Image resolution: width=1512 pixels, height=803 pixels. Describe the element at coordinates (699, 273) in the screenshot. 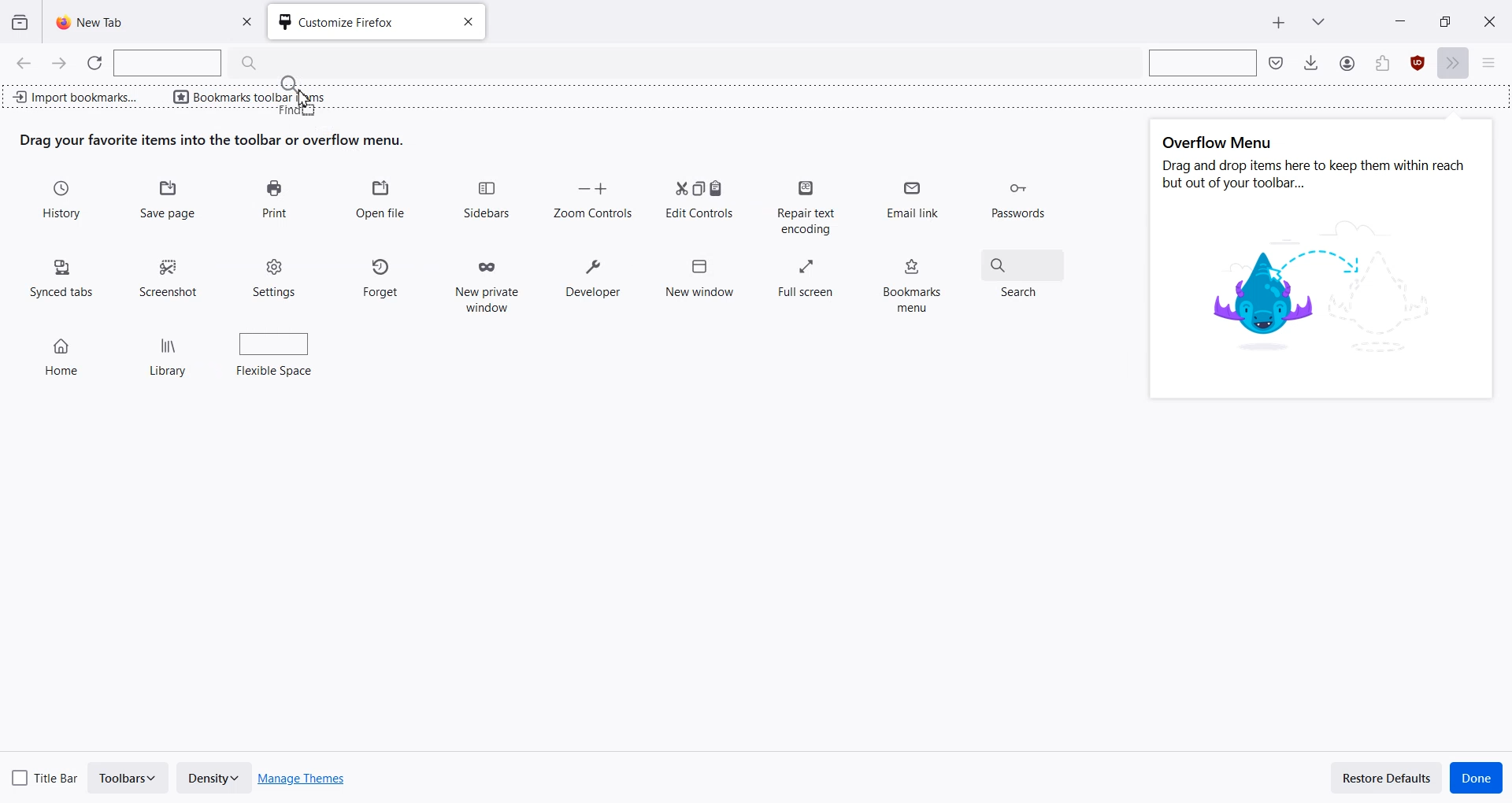

I see `New window` at that location.